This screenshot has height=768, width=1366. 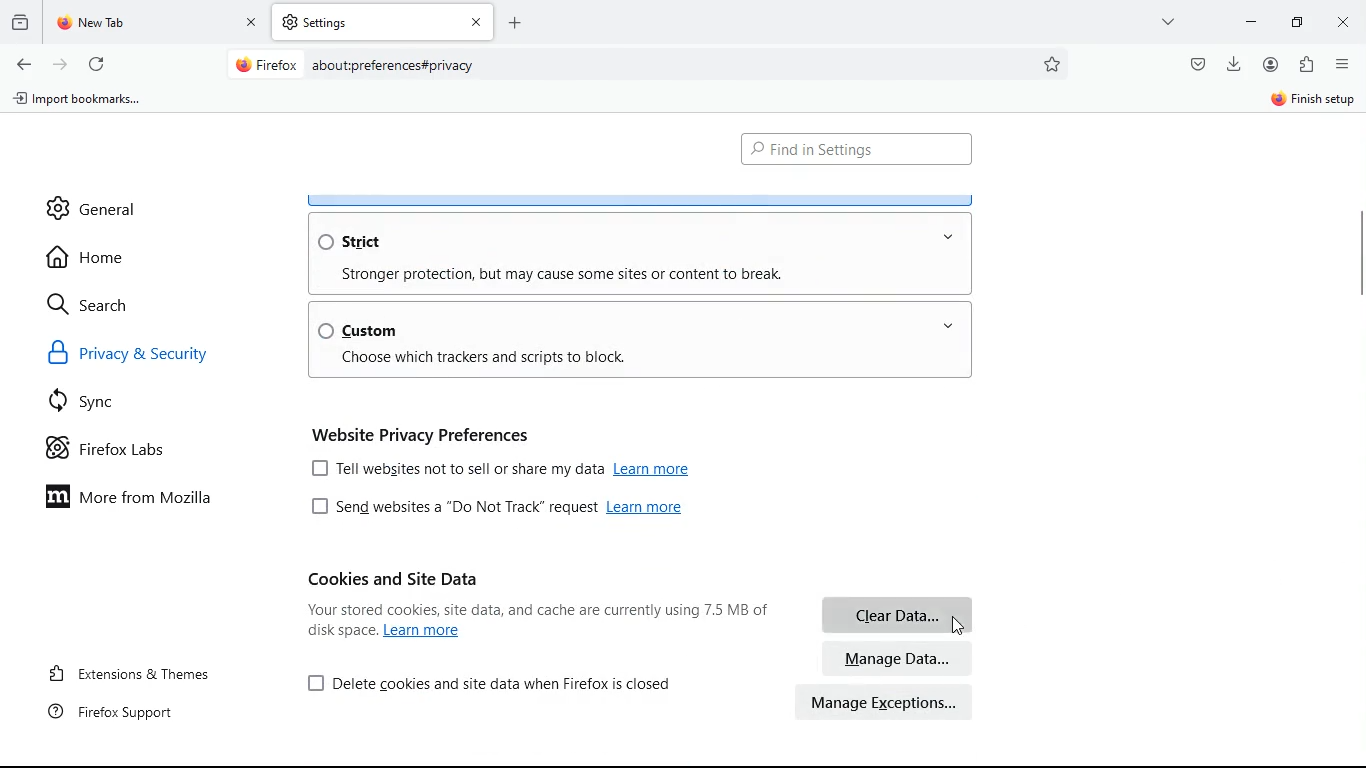 What do you see at coordinates (530, 621) in the screenshot?
I see `Your stored cookies, site data, and cache are currently using 7.5 MB of
disk space. Learn more` at bounding box center [530, 621].